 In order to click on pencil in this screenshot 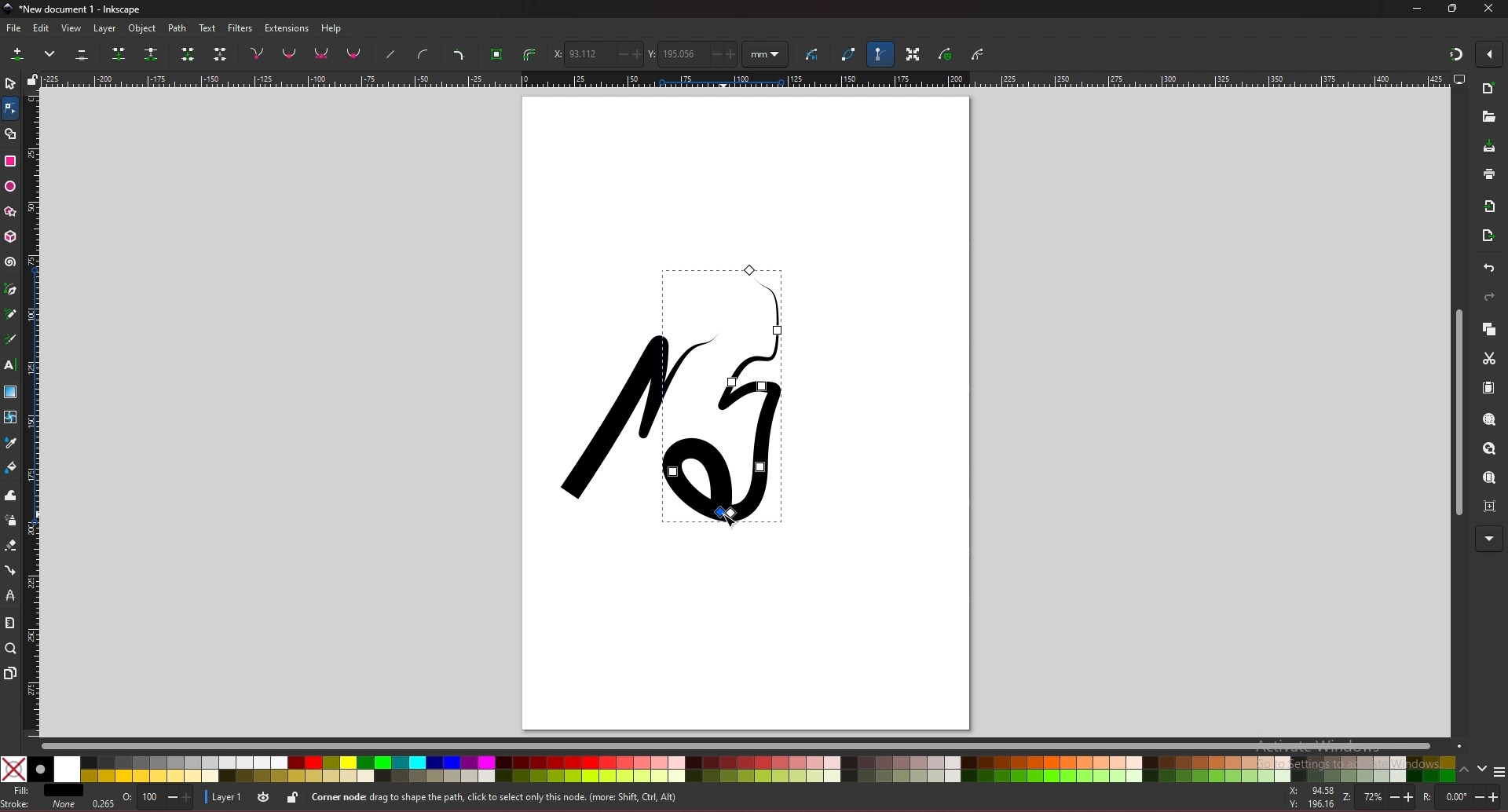, I will do `click(11, 313)`.